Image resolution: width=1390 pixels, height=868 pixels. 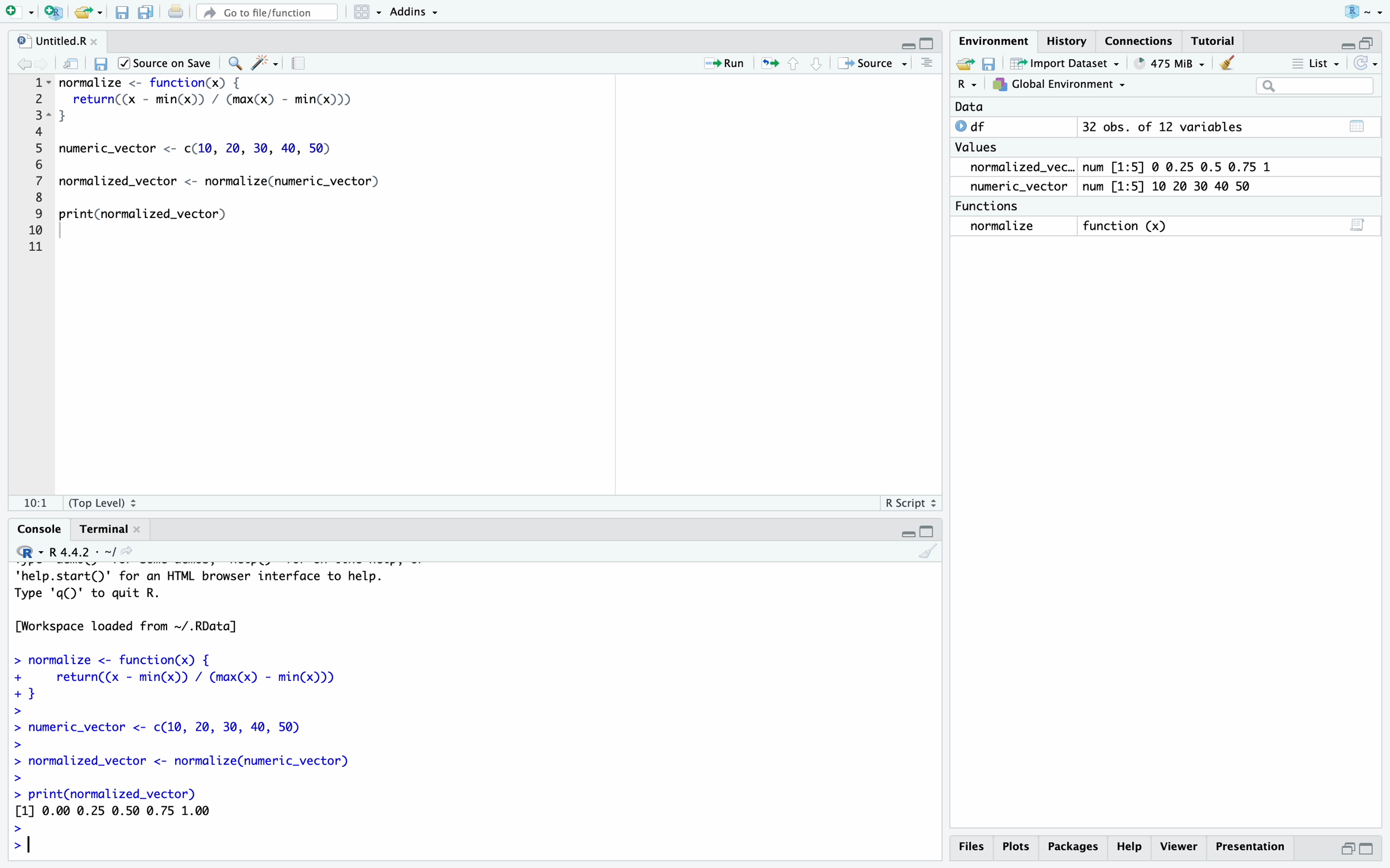 I want to click on Viewer, so click(x=1180, y=845).